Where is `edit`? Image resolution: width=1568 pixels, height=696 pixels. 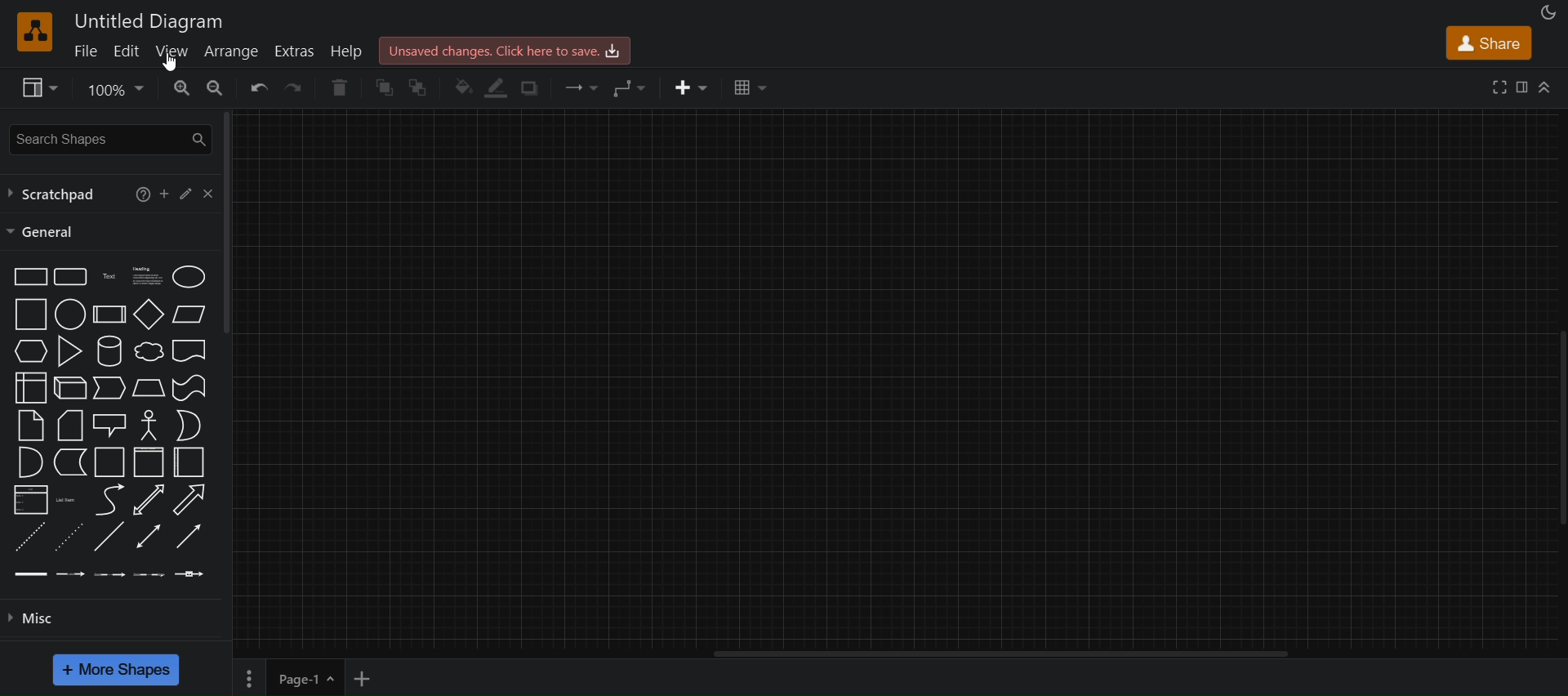
edit is located at coordinates (131, 51).